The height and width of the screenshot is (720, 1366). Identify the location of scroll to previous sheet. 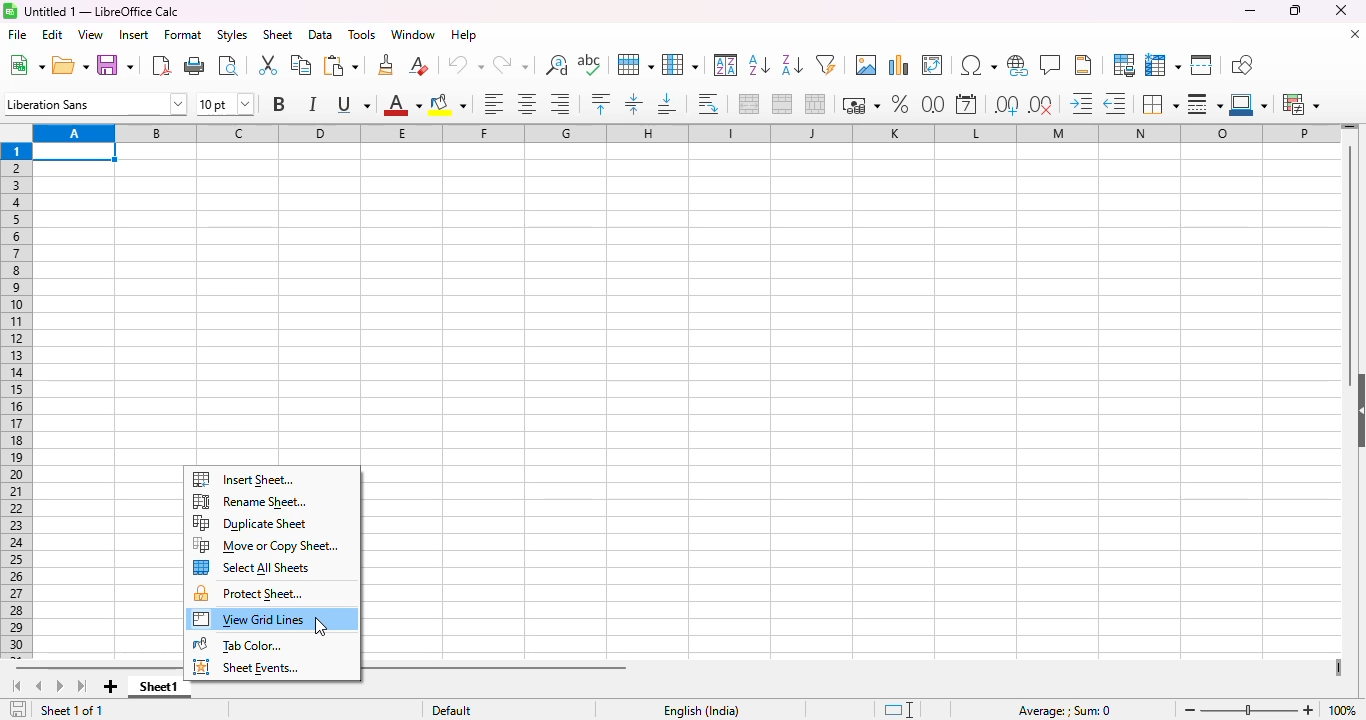
(38, 686).